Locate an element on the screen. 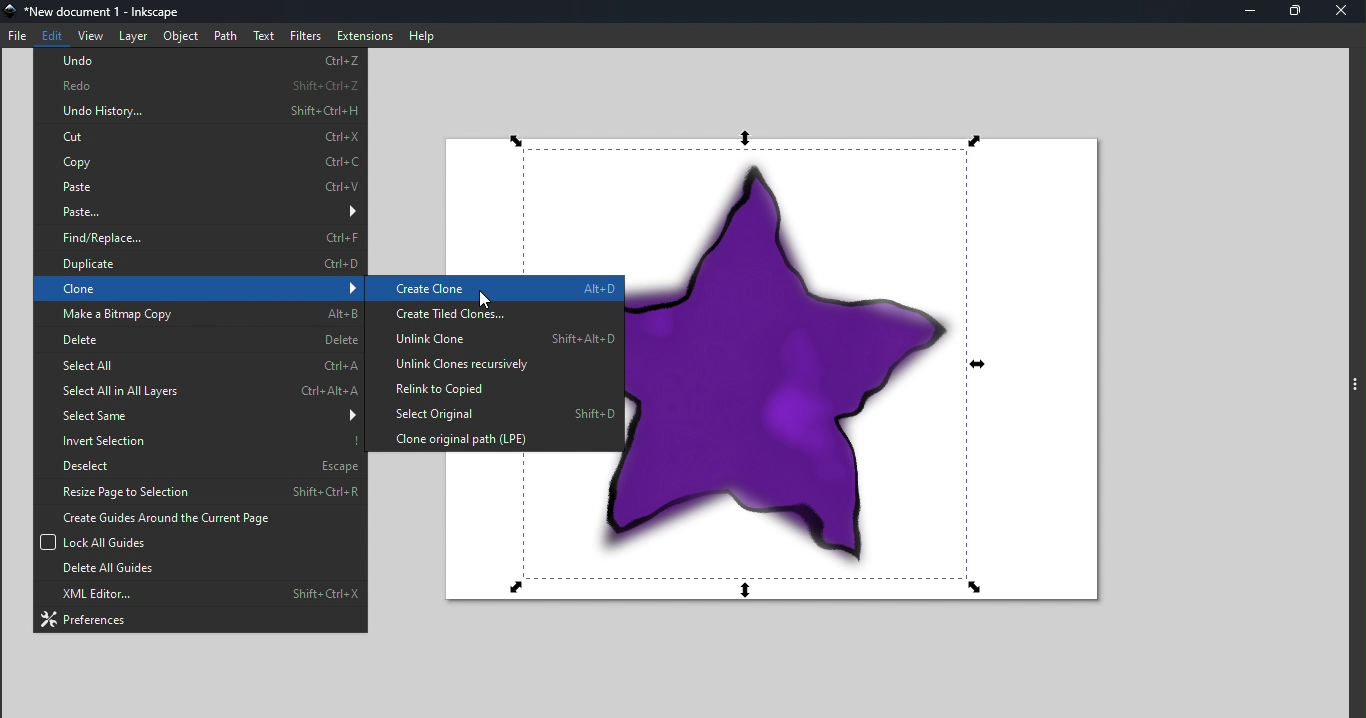  Relink to copied is located at coordinates (492, 388).